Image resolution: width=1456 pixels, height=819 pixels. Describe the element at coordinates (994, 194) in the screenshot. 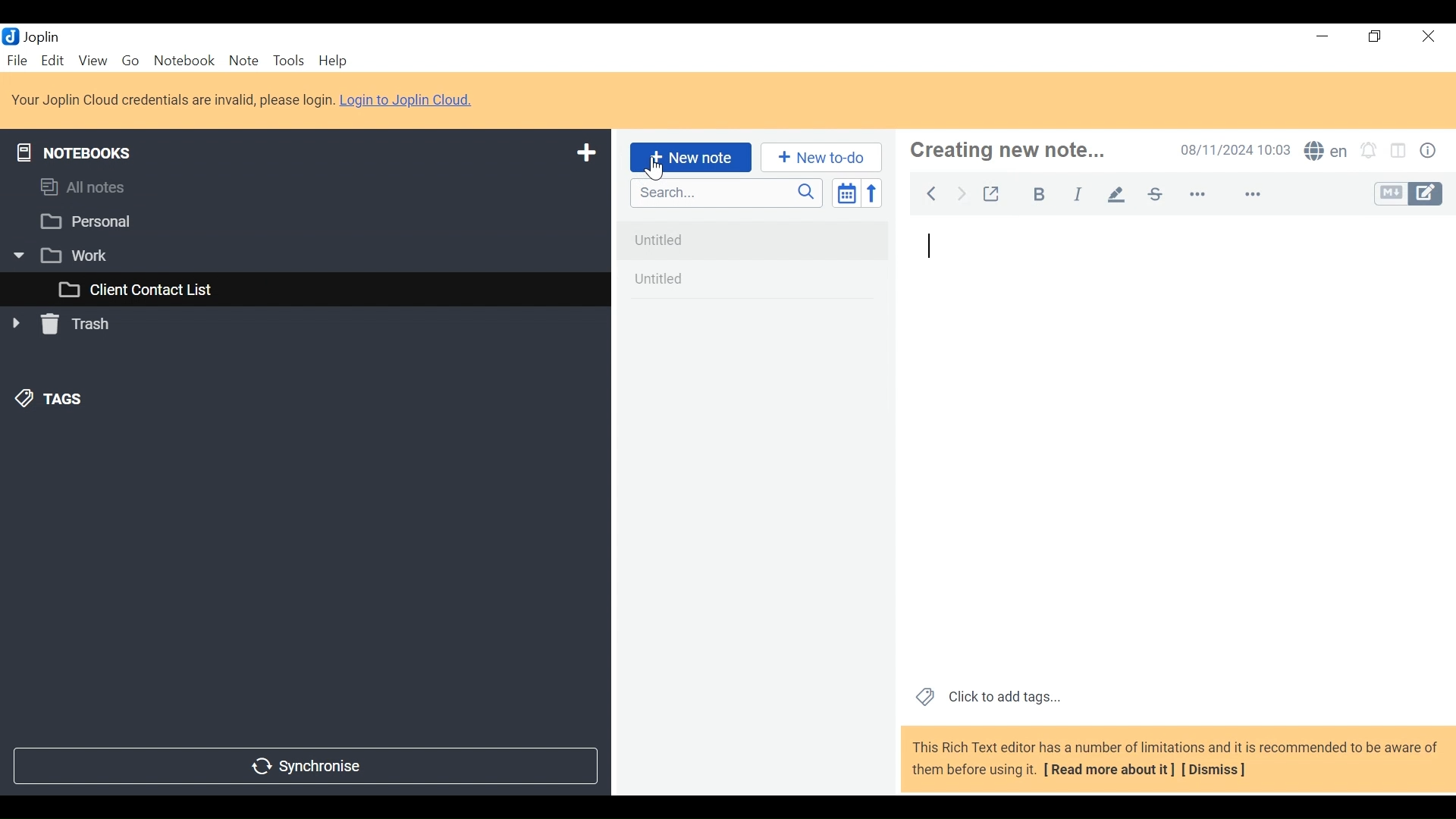

I see `Toggle external editing` at that location.